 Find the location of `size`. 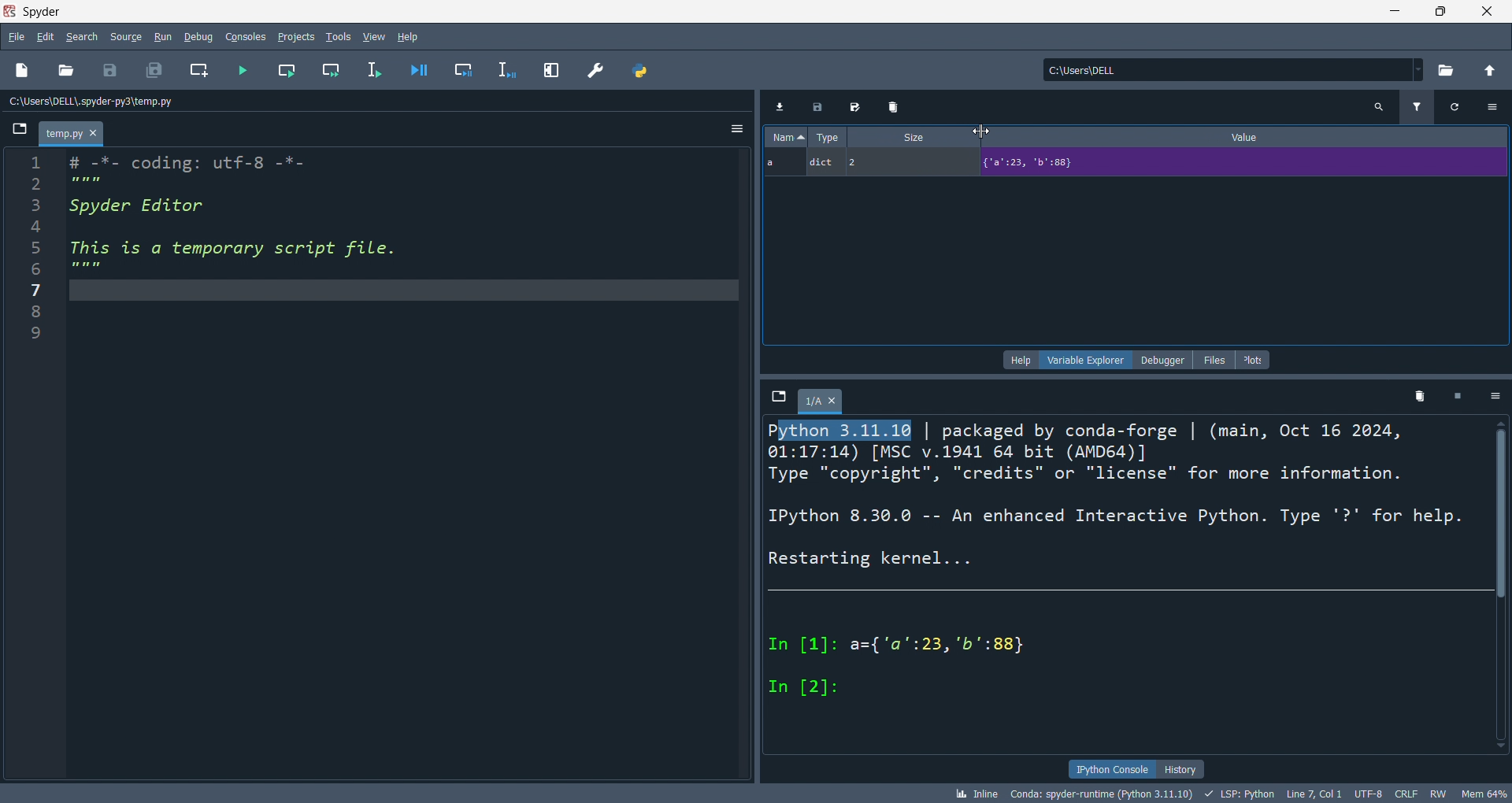

size is located at coordinates (909, 138).